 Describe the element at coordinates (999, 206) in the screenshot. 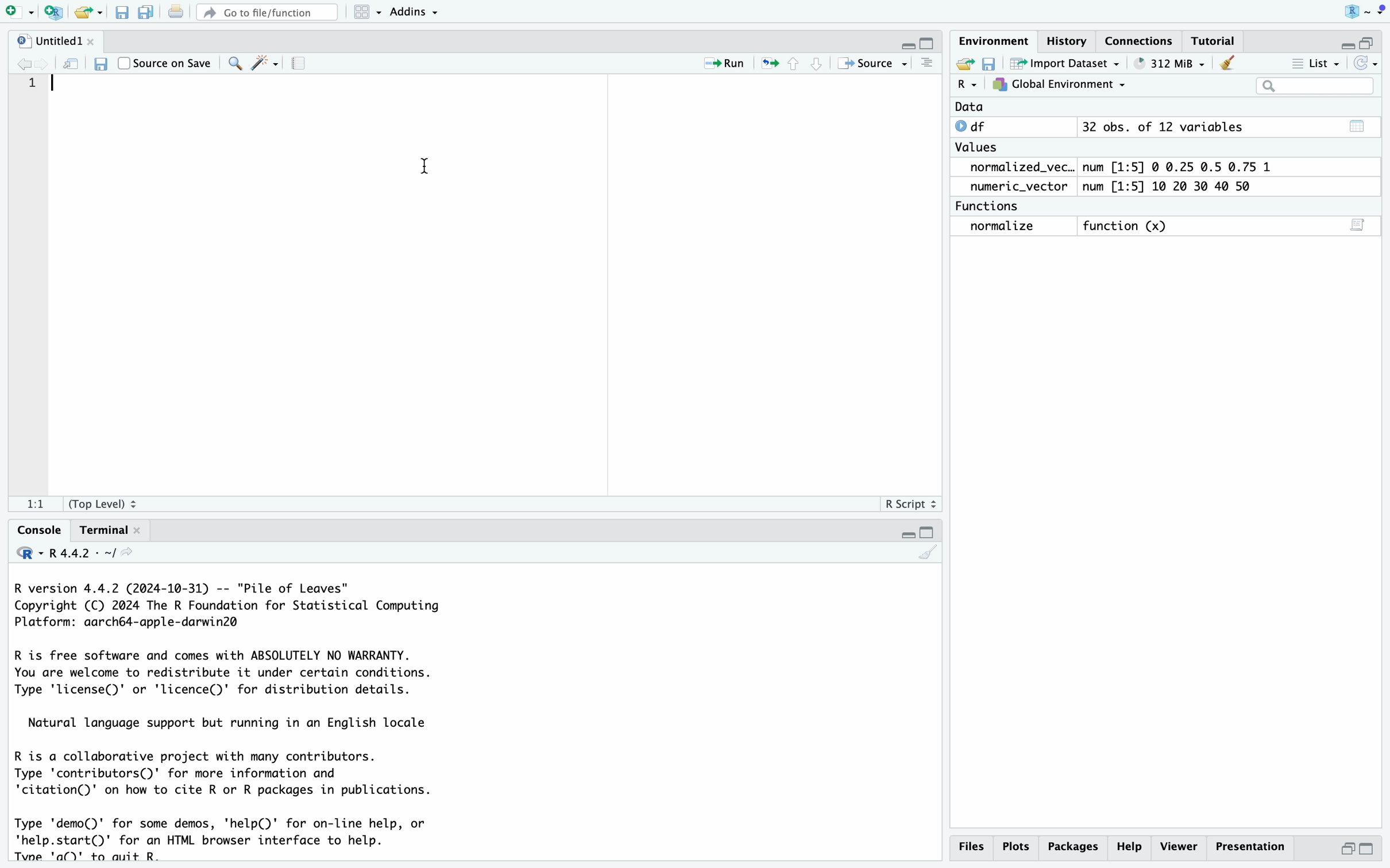

I see `Functions` at that location.